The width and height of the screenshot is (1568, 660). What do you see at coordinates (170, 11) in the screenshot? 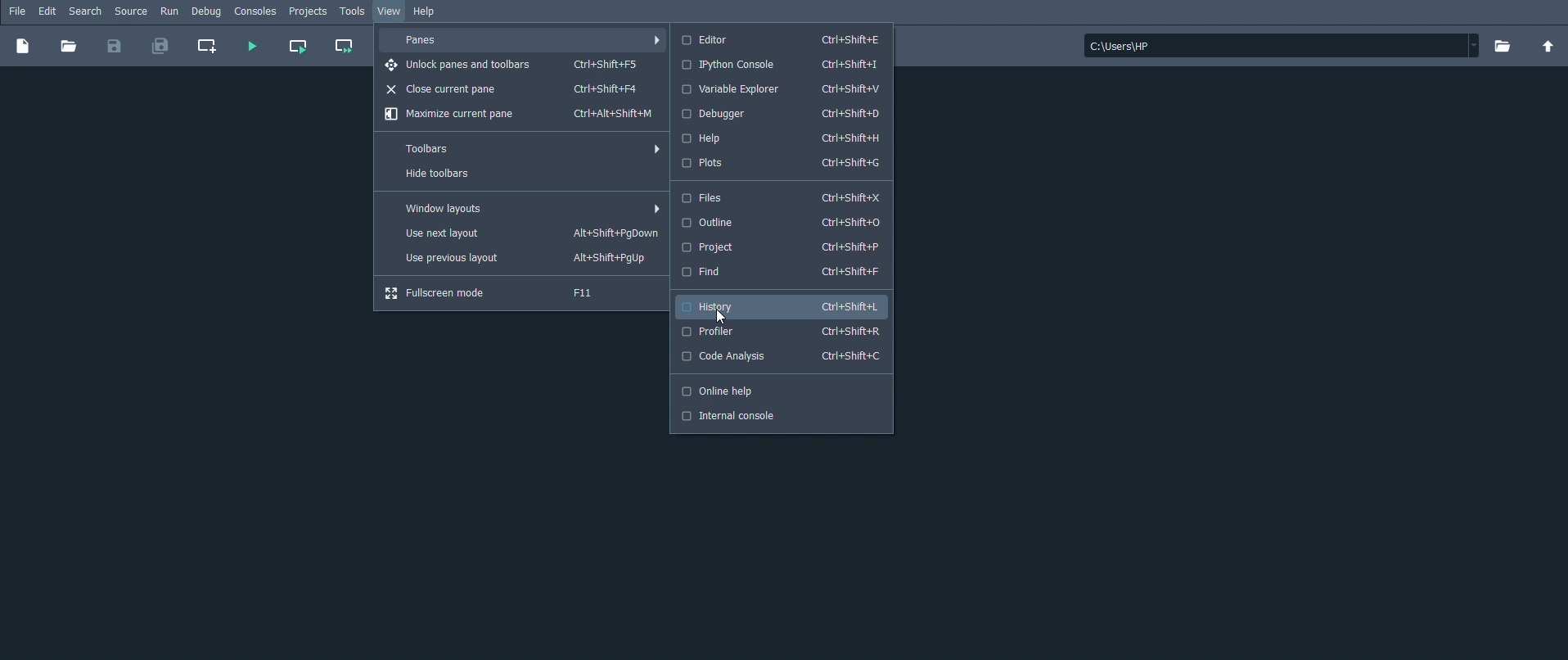
I see `Run` at bounding box center [170, 11].